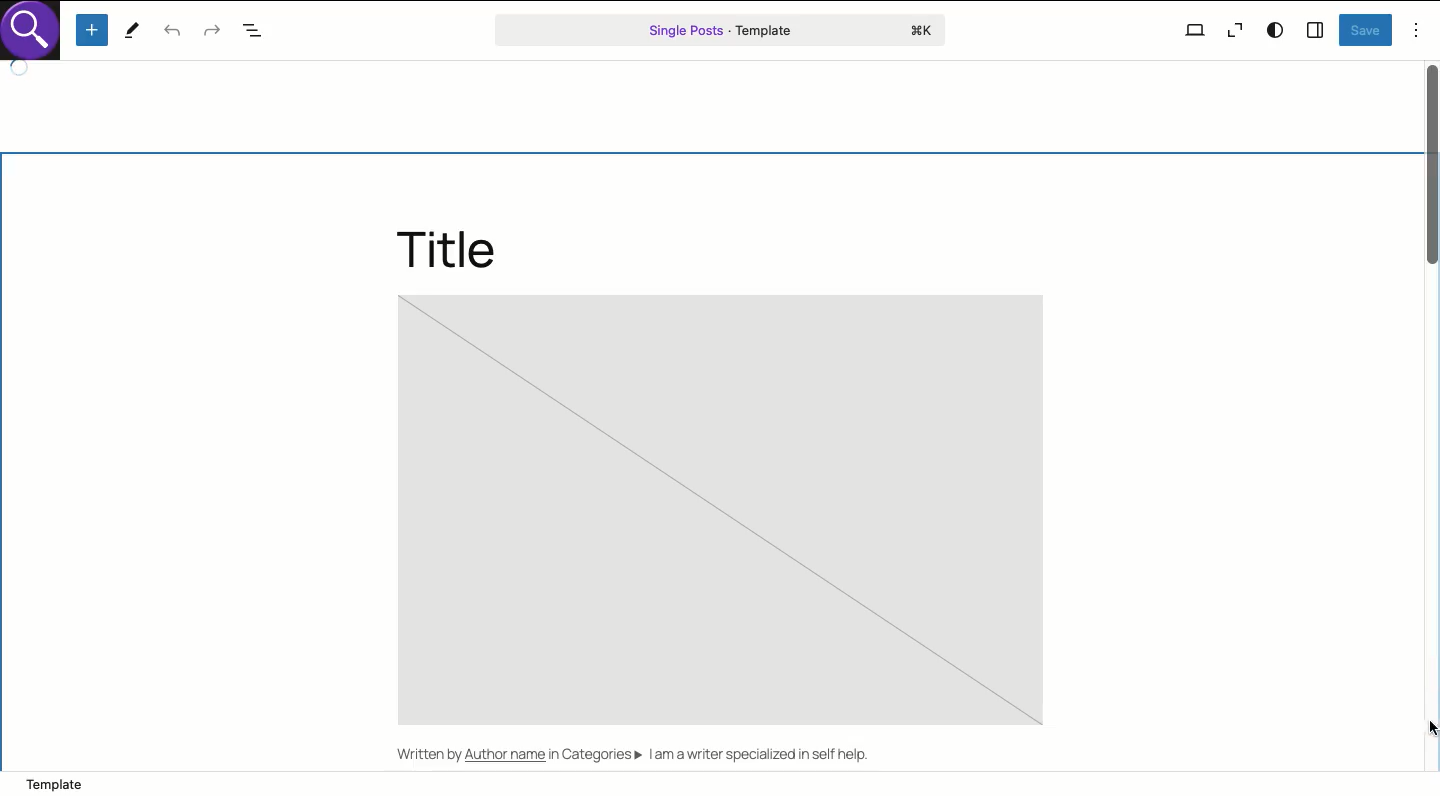 The image size is (1440, 796). I want to click on template, so click(114, 783).